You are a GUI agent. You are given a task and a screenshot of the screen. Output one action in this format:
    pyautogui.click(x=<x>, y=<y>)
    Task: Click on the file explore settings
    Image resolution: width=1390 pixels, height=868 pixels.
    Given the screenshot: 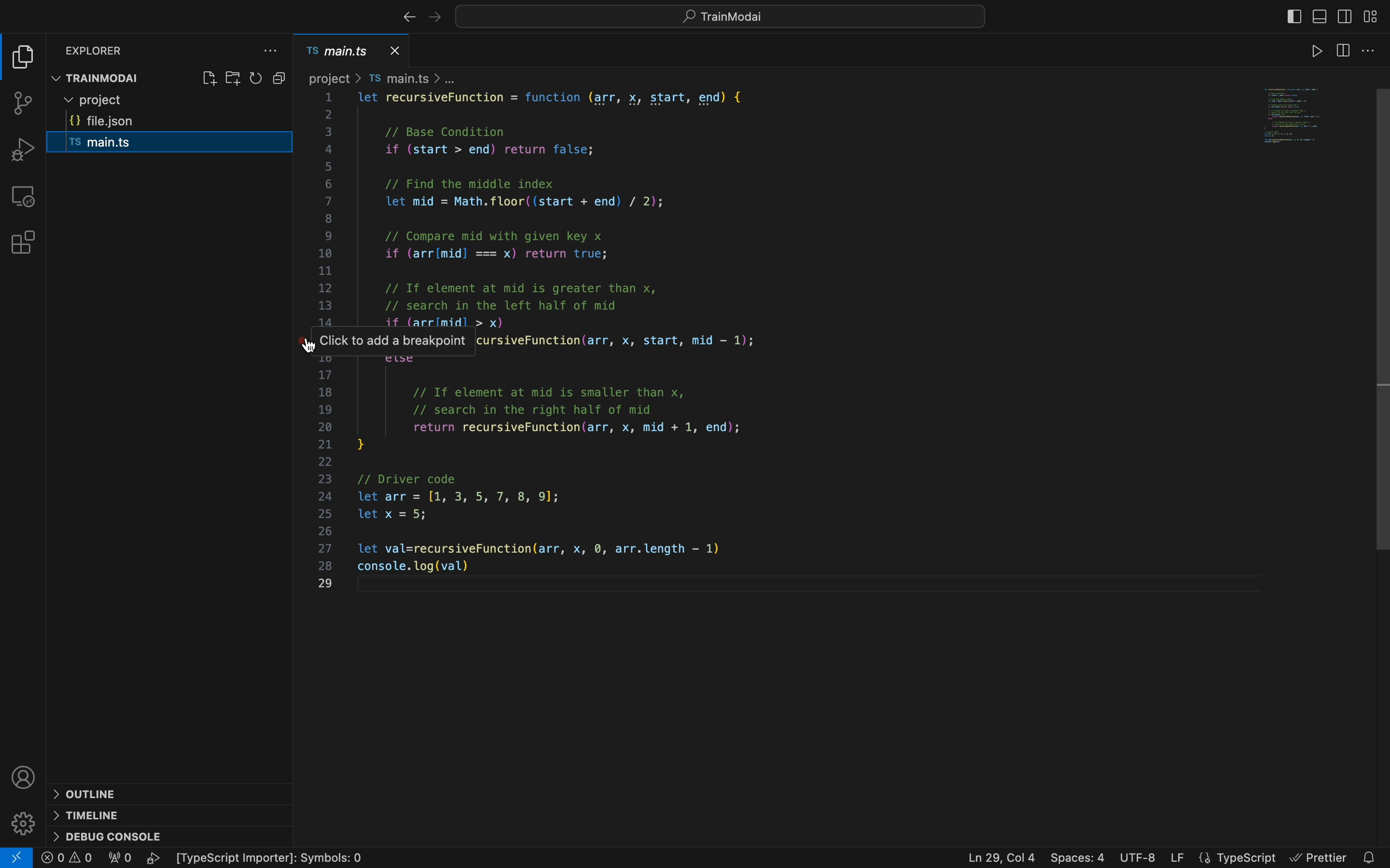 What is the action you would take?
    pyautogui.click(x=272, y=53)
    